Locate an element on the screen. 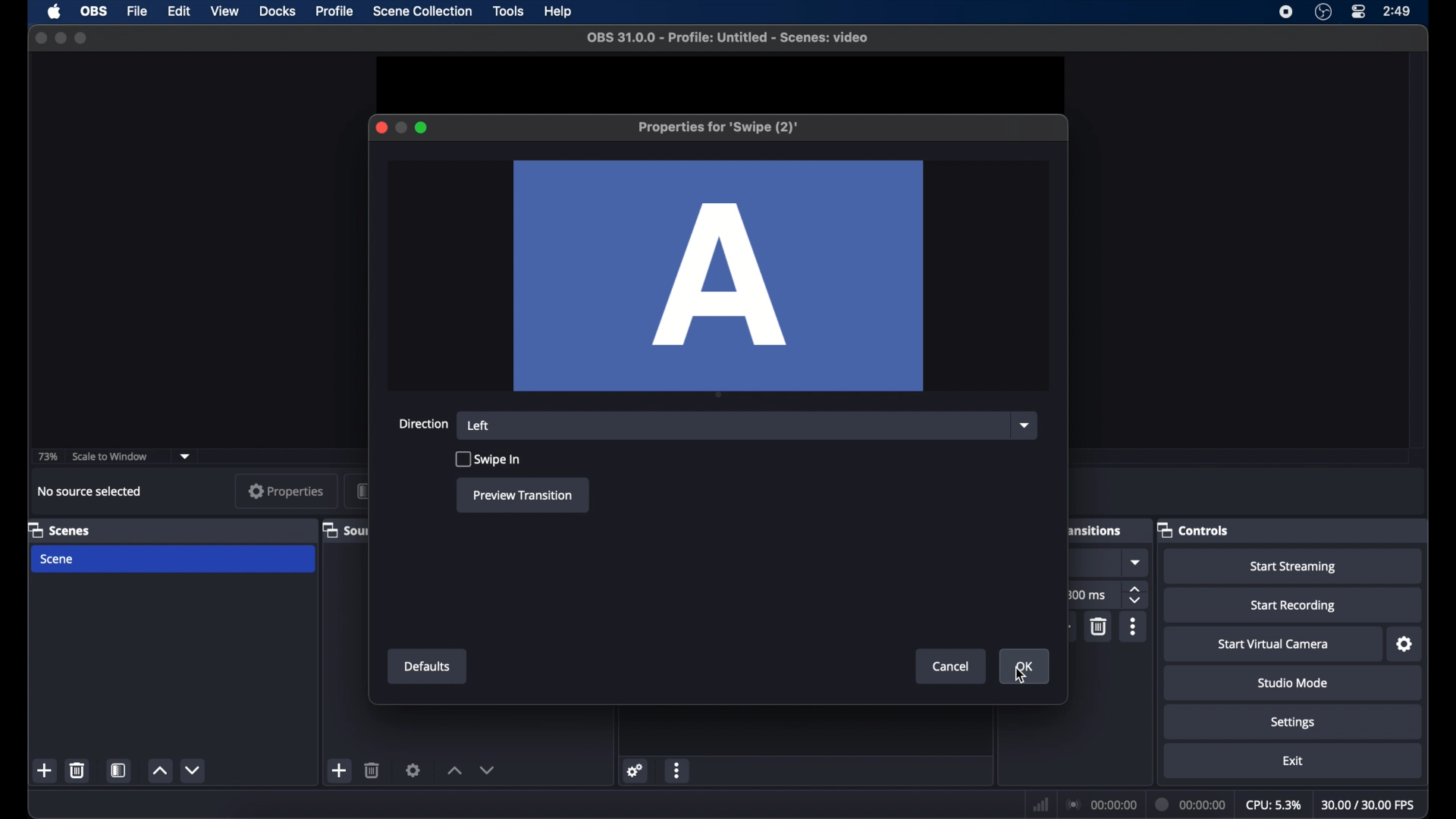  dropdown is located at coordinates (1134, 562).